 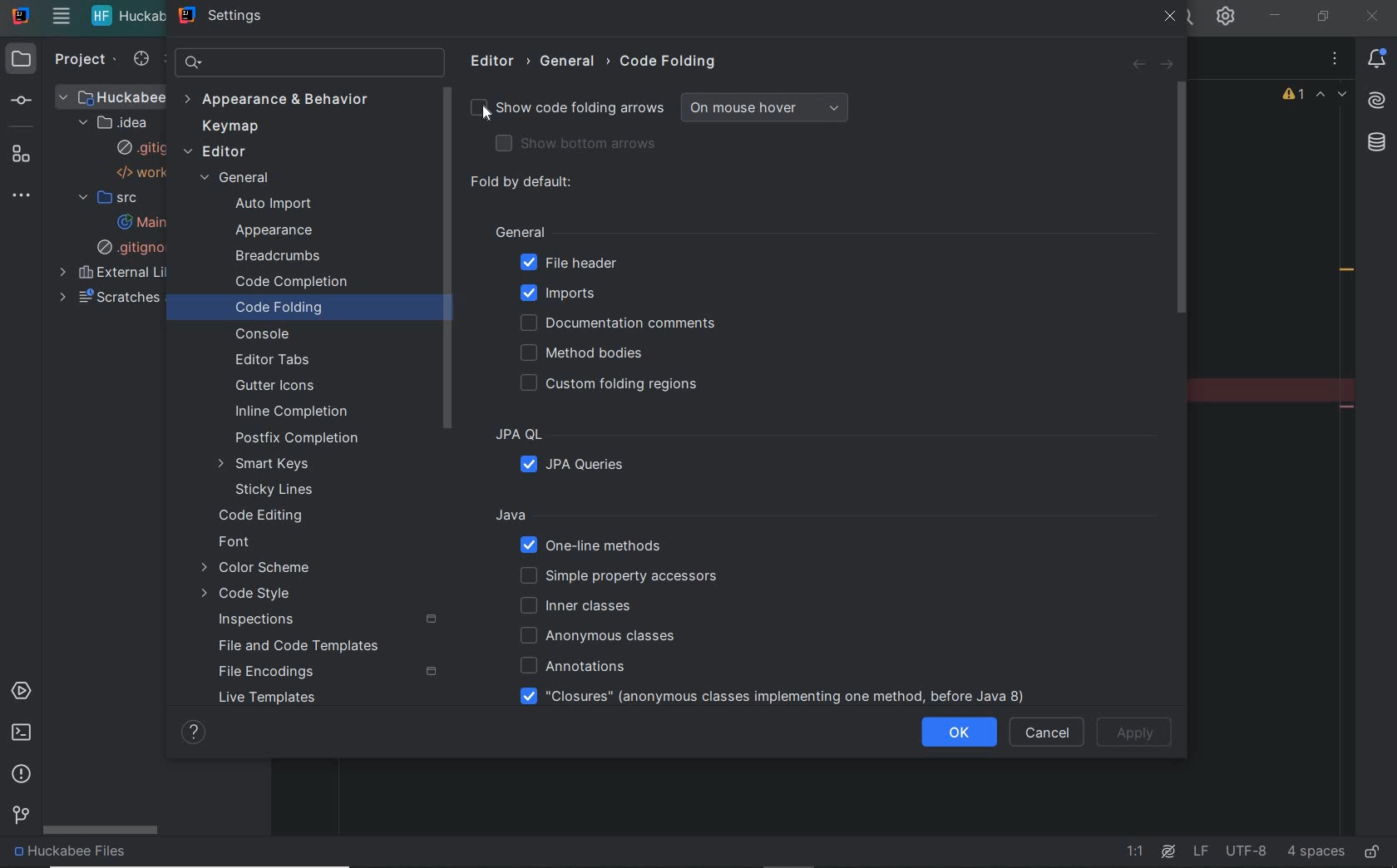 I want to click on indent, so click(x=1316, y=851).